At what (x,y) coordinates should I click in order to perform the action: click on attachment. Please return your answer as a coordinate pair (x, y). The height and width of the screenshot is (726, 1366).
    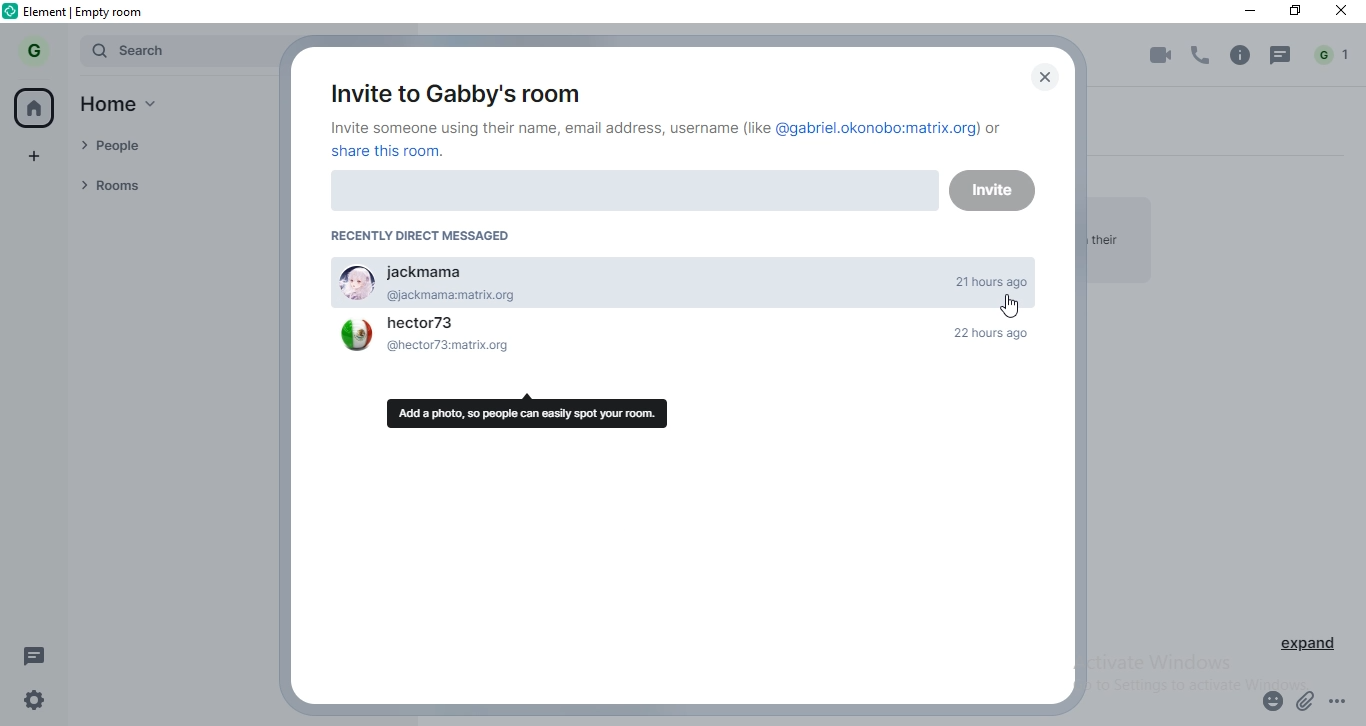
    Looking at the image, I should click on (1307, 703).